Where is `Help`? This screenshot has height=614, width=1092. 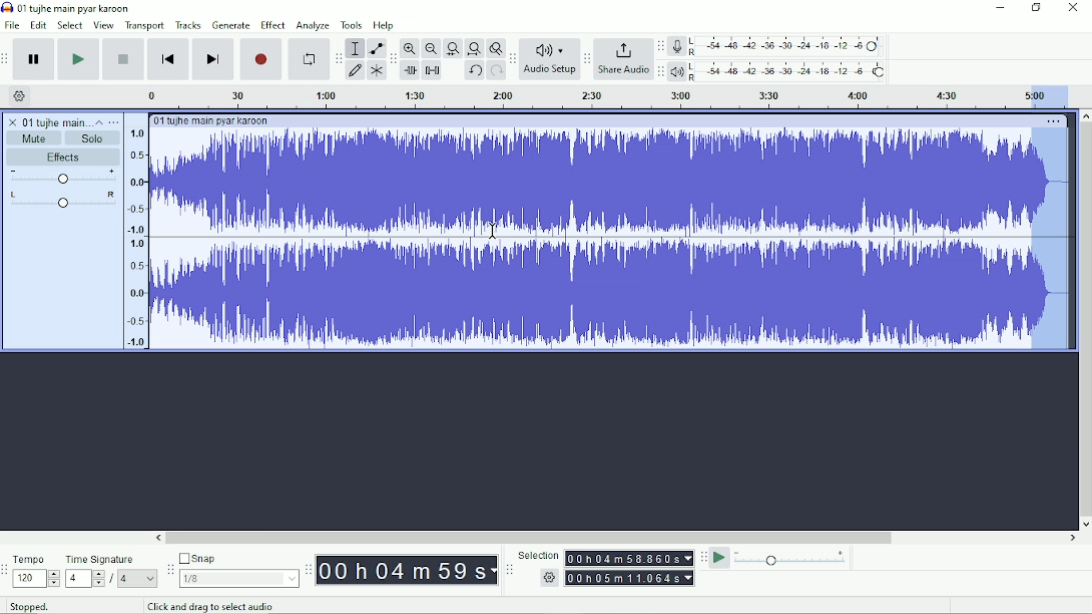
Help is located at coordinates (385, 25).